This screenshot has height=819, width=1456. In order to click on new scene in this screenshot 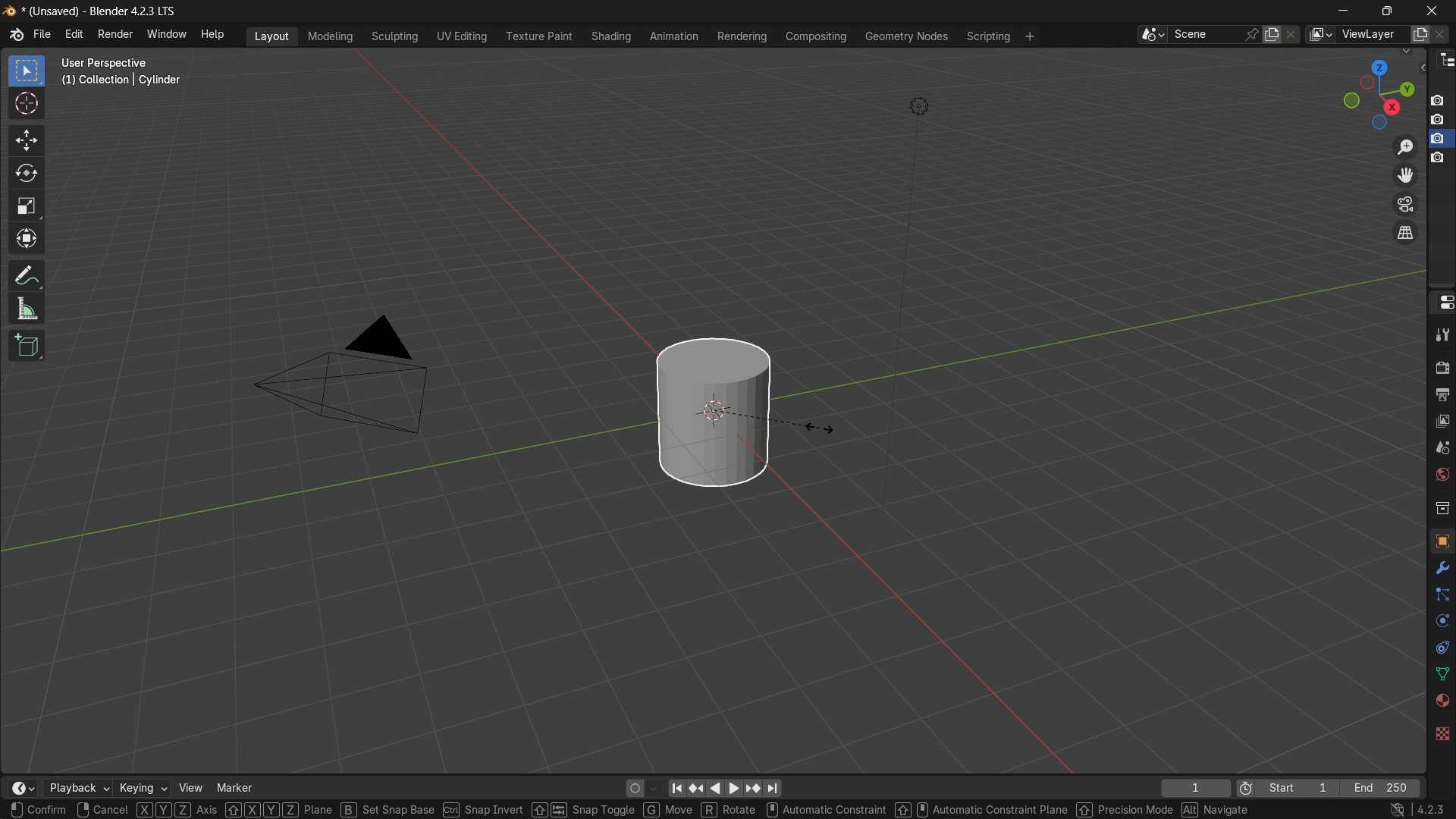, I will do `click(1273, 34)`.